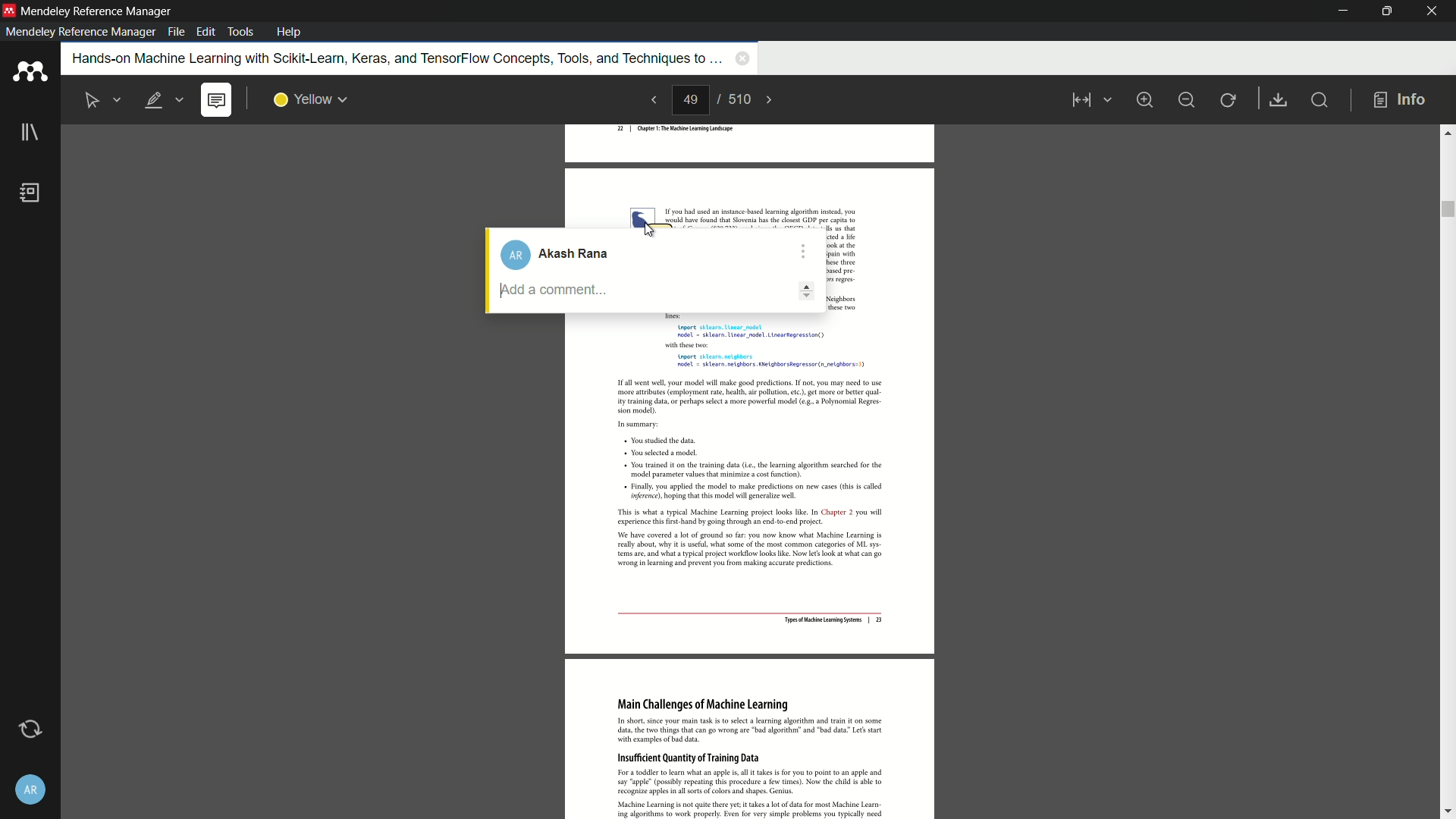 The width and height of the screenshot is (1456, 819). Describe the element at coordinates (1229, 99) in the screenshot. I see `refresh` at that location.